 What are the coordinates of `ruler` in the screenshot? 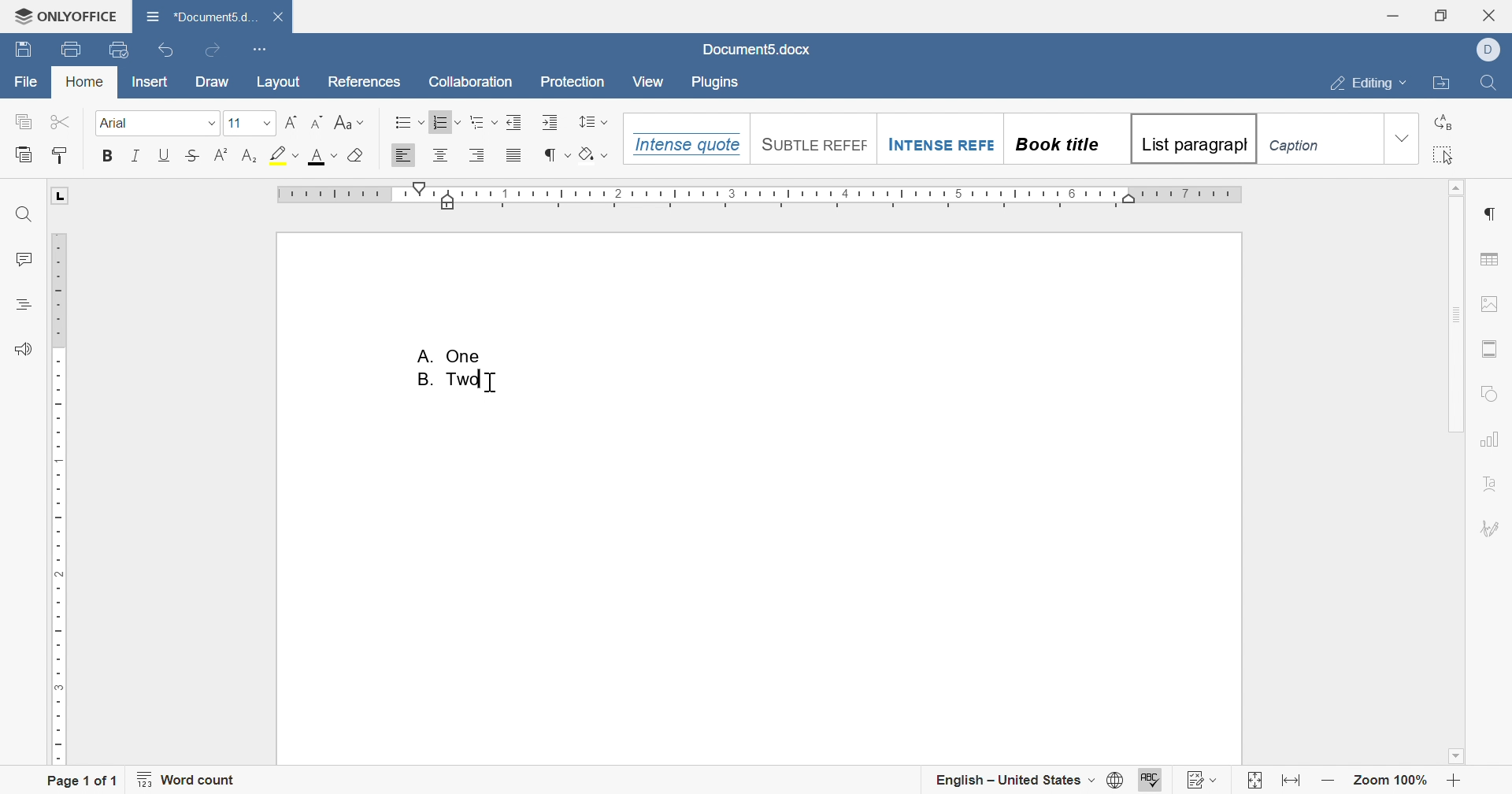 It's located at (61, 499).